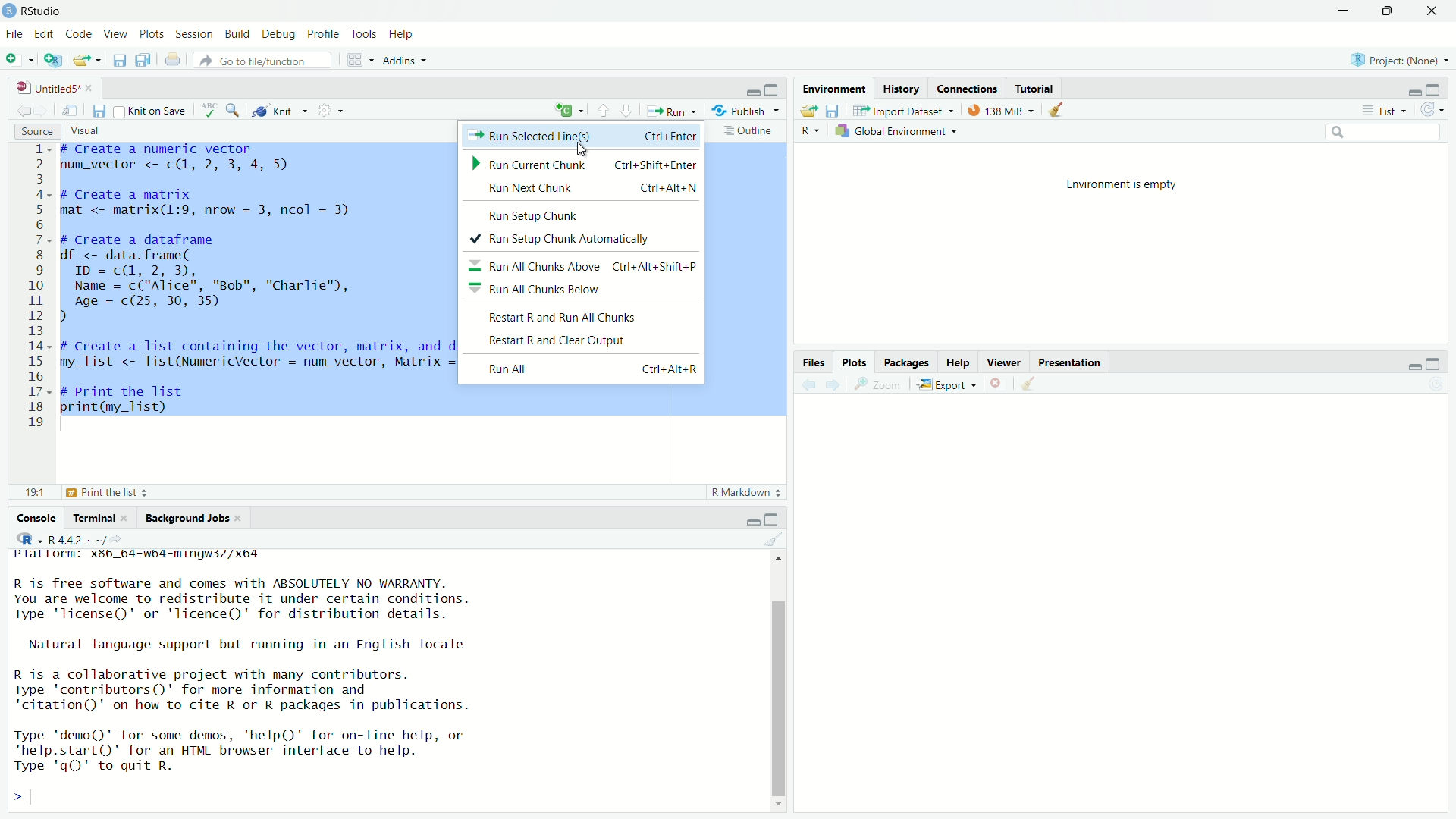  I want to click on export, so click(86, 63).